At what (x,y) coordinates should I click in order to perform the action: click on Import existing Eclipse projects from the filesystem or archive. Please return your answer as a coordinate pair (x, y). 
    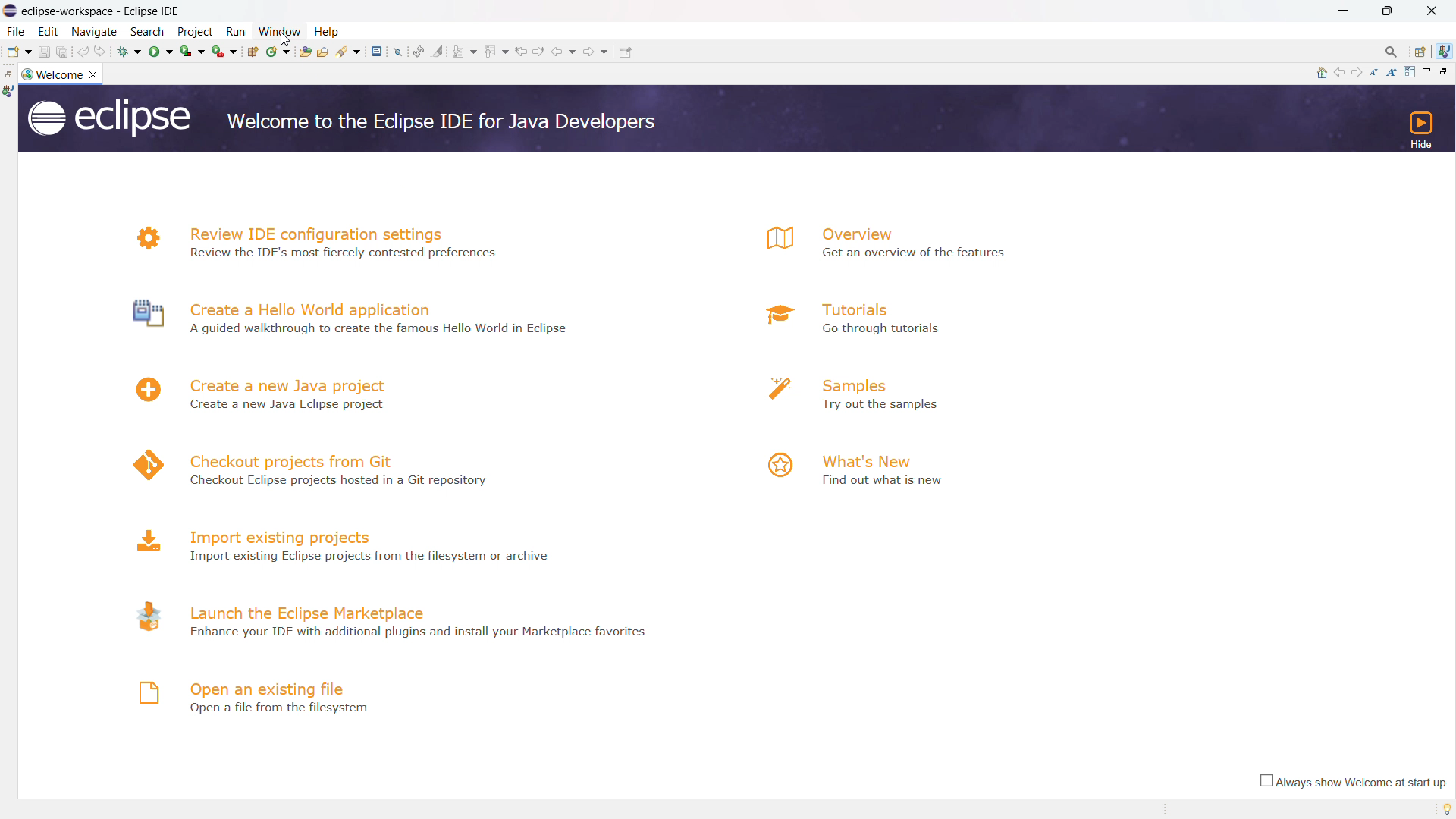
    Looking at the image, I should click on (379, 555).